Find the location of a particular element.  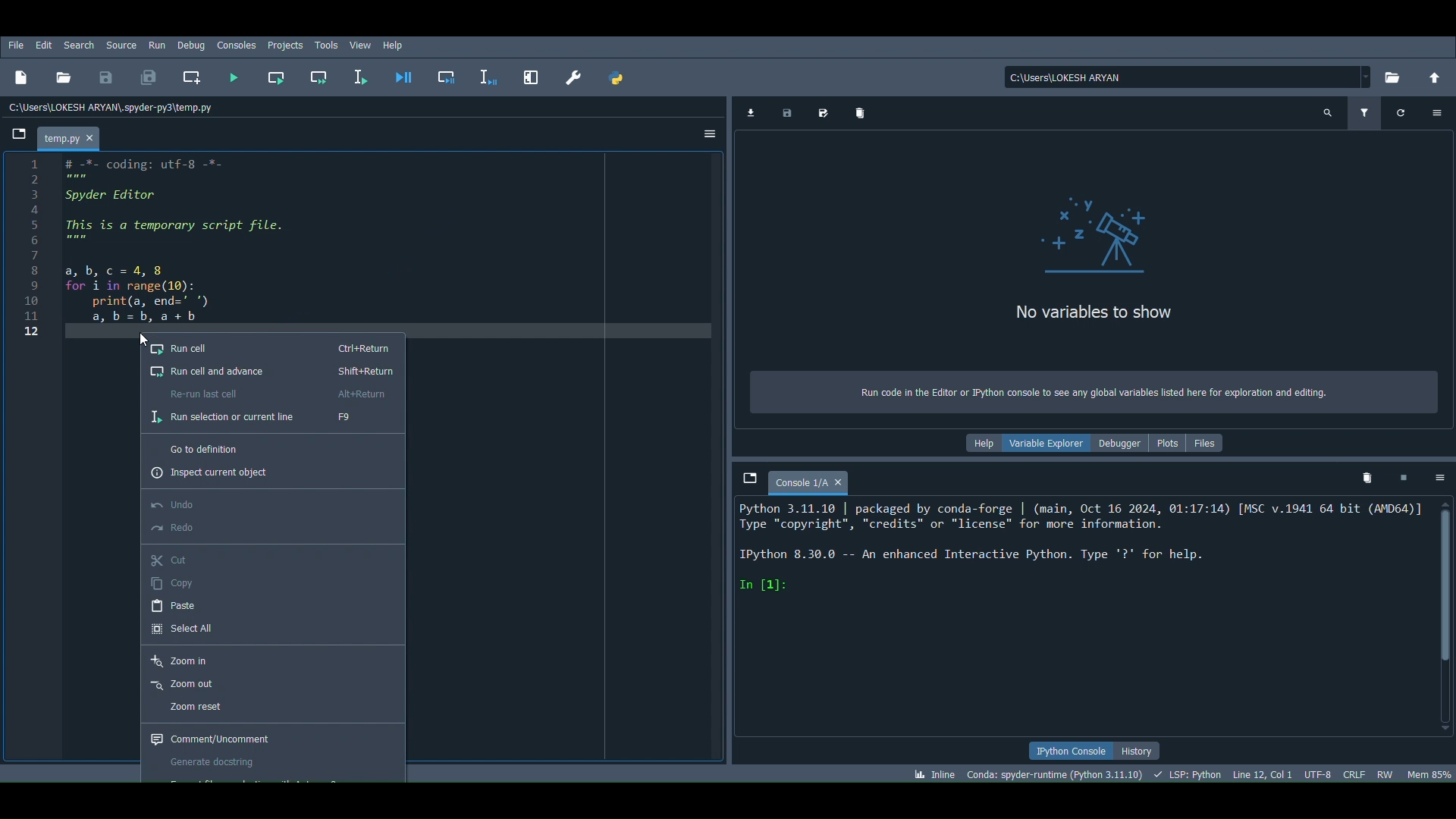

Help is located at coordinates (984, 442).